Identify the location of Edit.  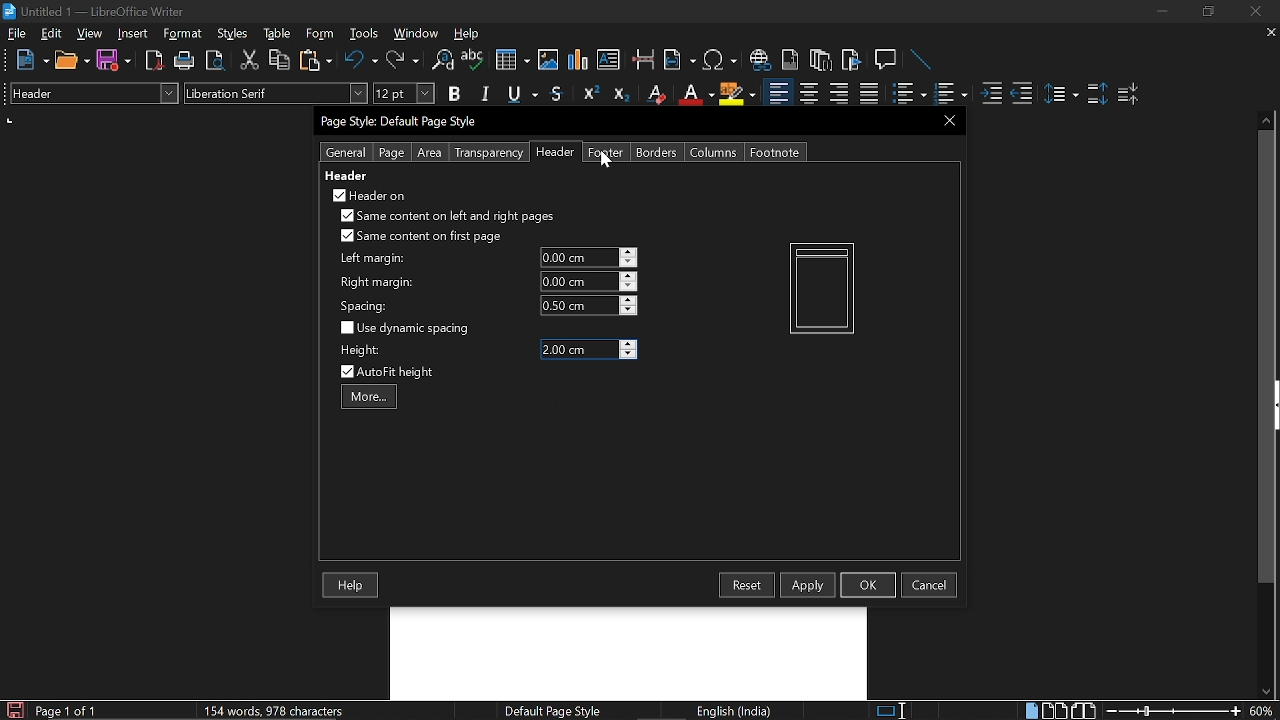
(52, 33).